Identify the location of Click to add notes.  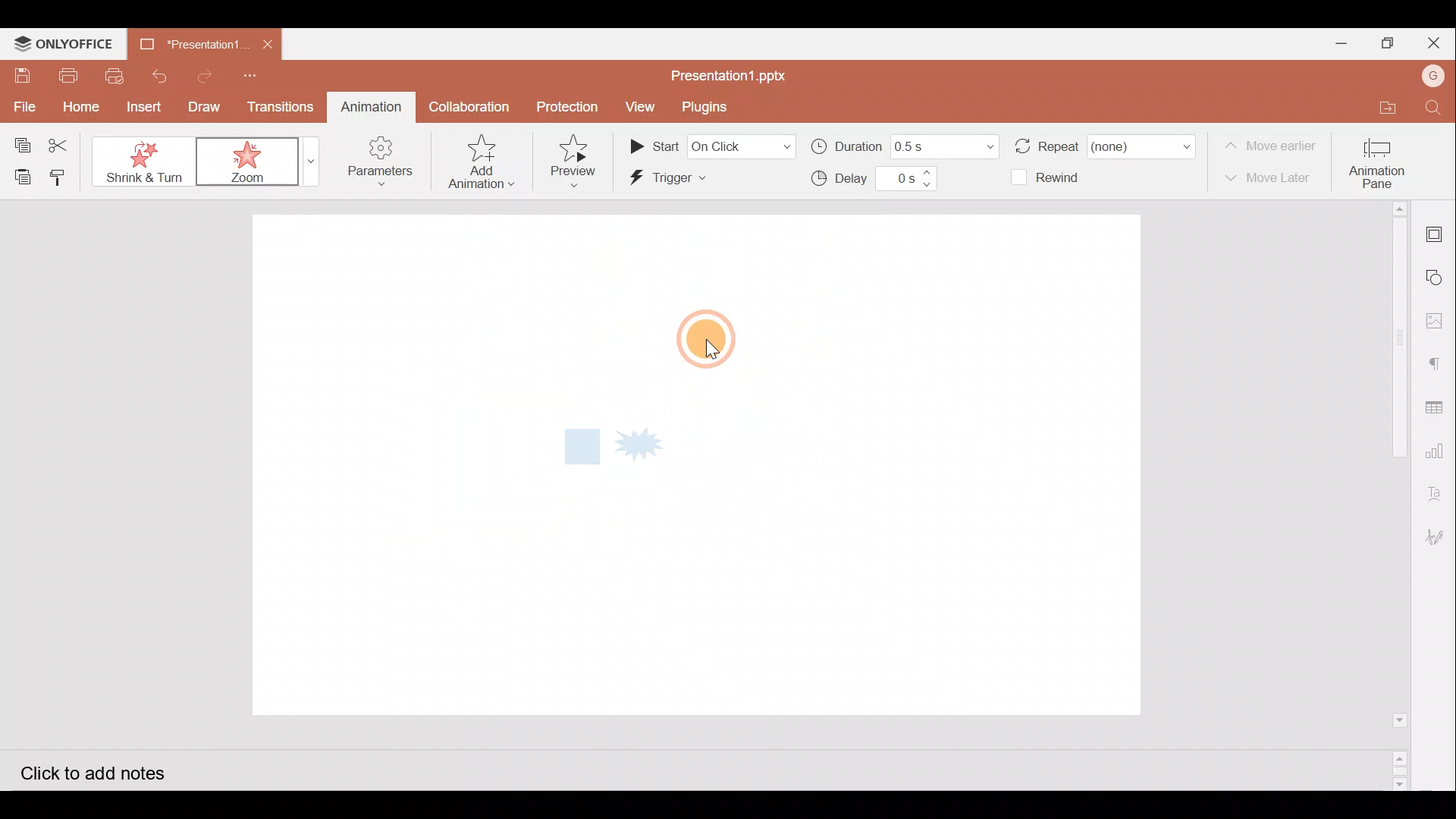
(109, 770).